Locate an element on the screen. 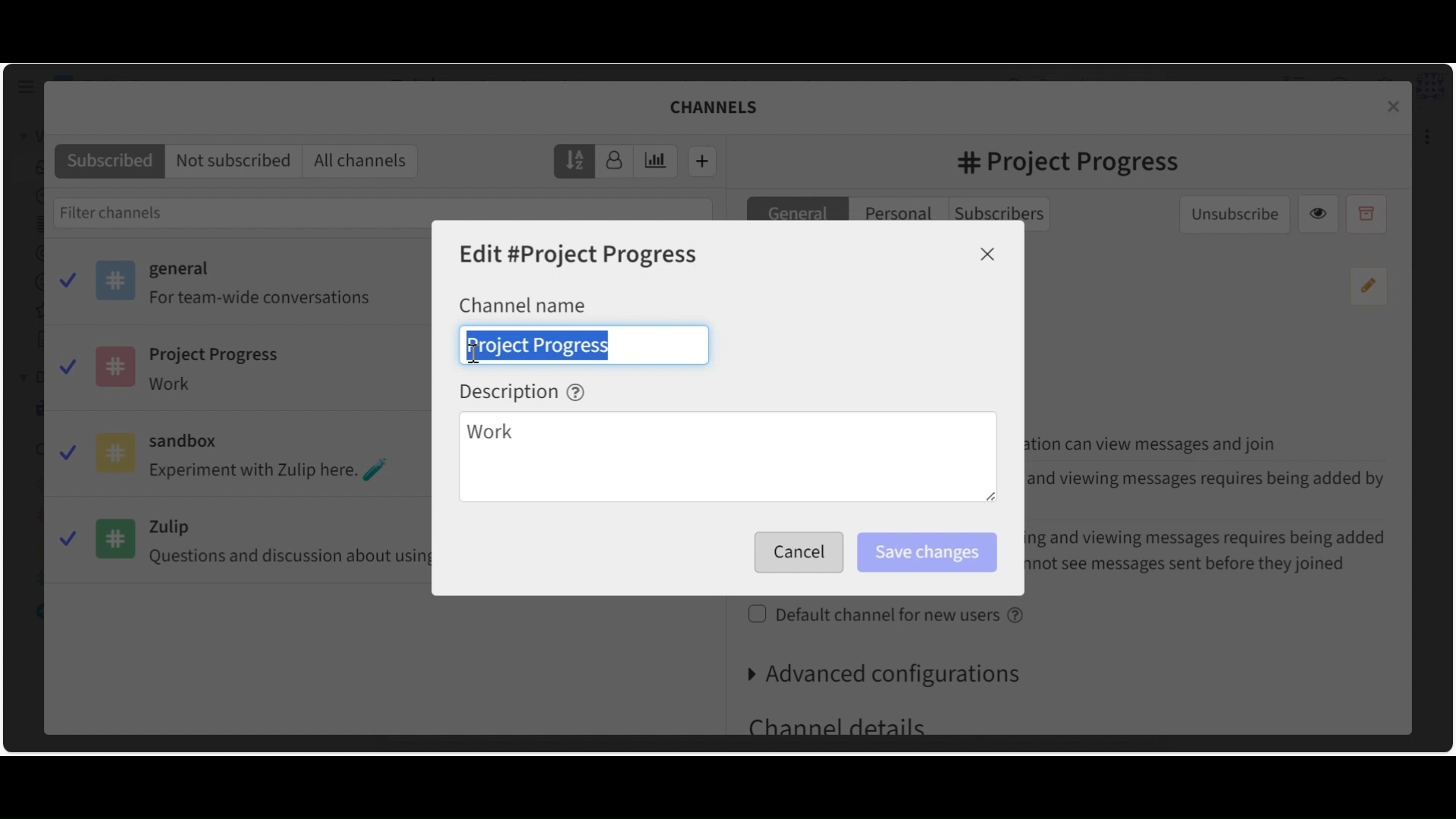 This screenshot has height=819, width=1456. Description is located at coordinates (522, 391).